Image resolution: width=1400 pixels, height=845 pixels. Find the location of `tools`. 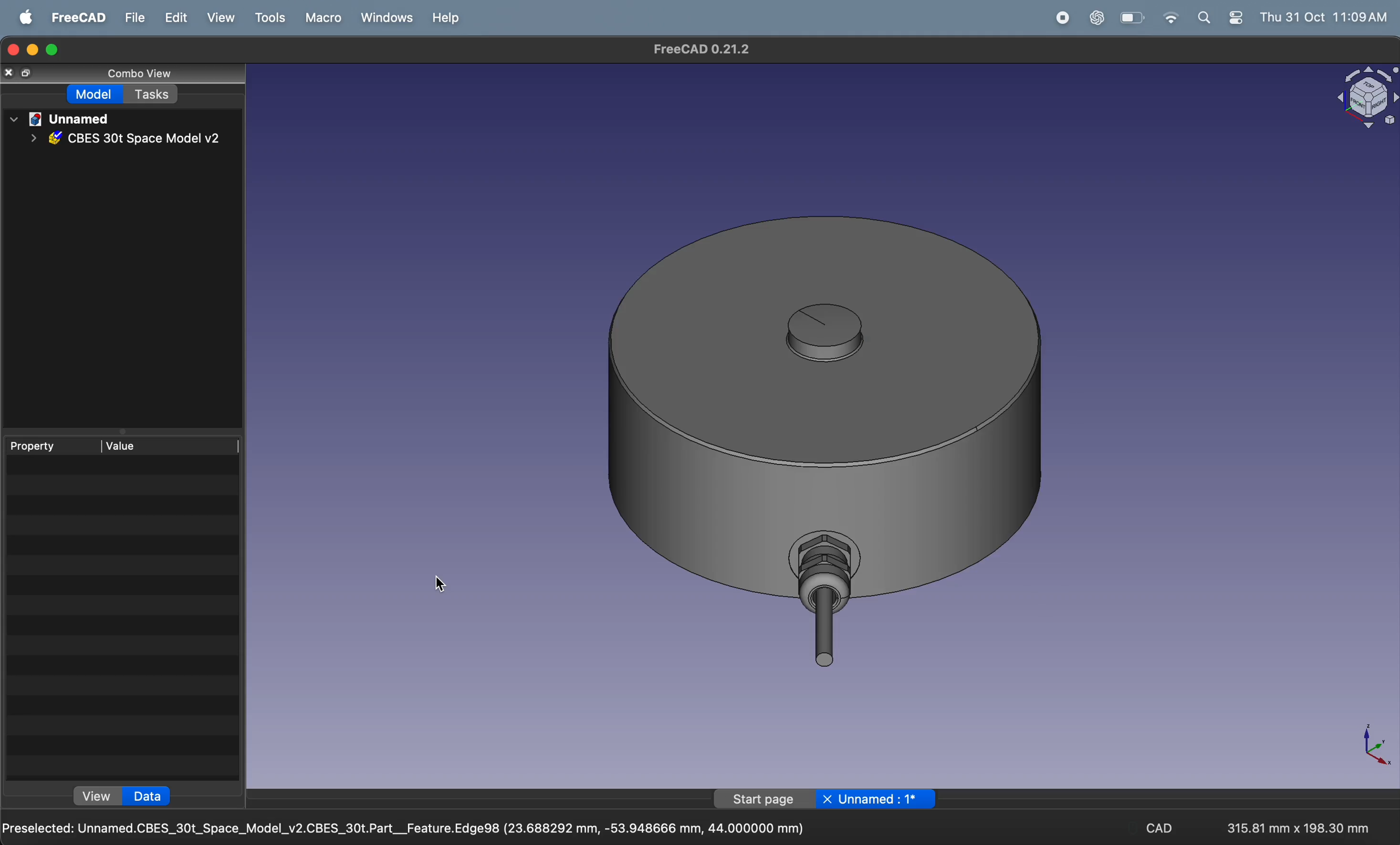

tools is located at coordinates (278, 20).